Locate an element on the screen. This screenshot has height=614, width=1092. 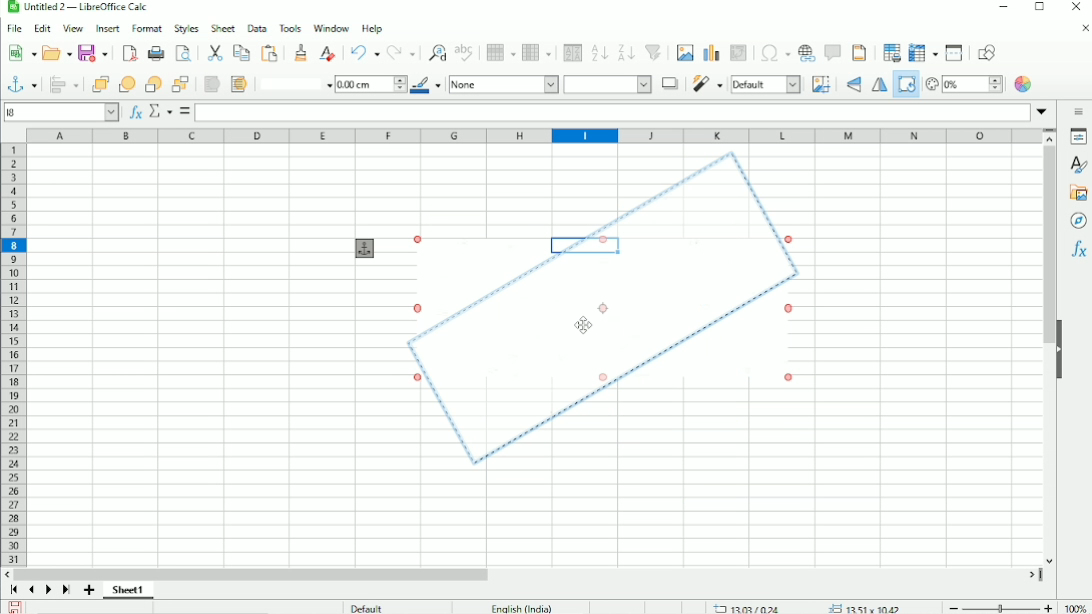
Input line is located at coordinates (613, 113).